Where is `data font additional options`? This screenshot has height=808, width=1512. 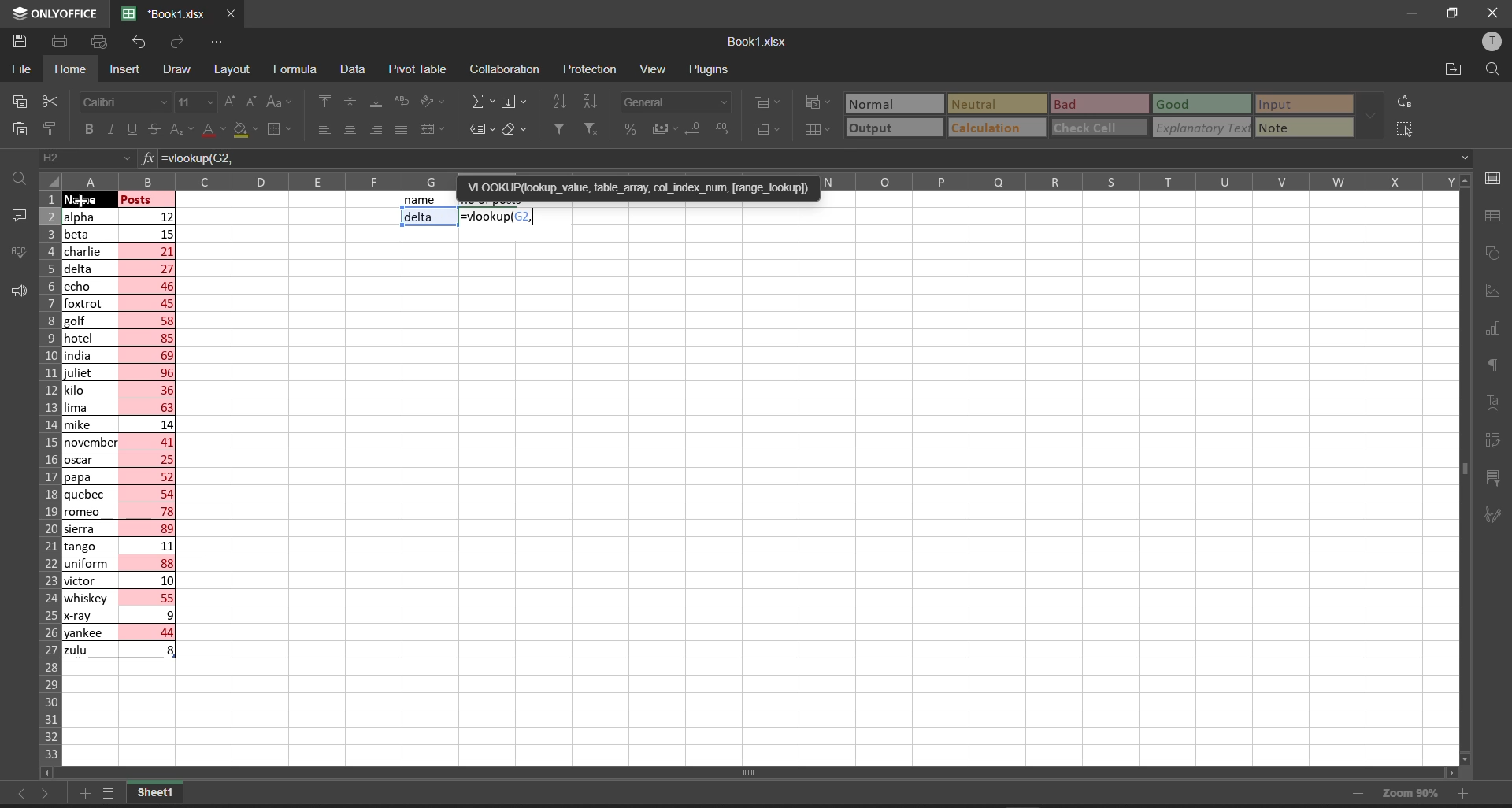 data font additional options is located at coordinates (1369, 112).